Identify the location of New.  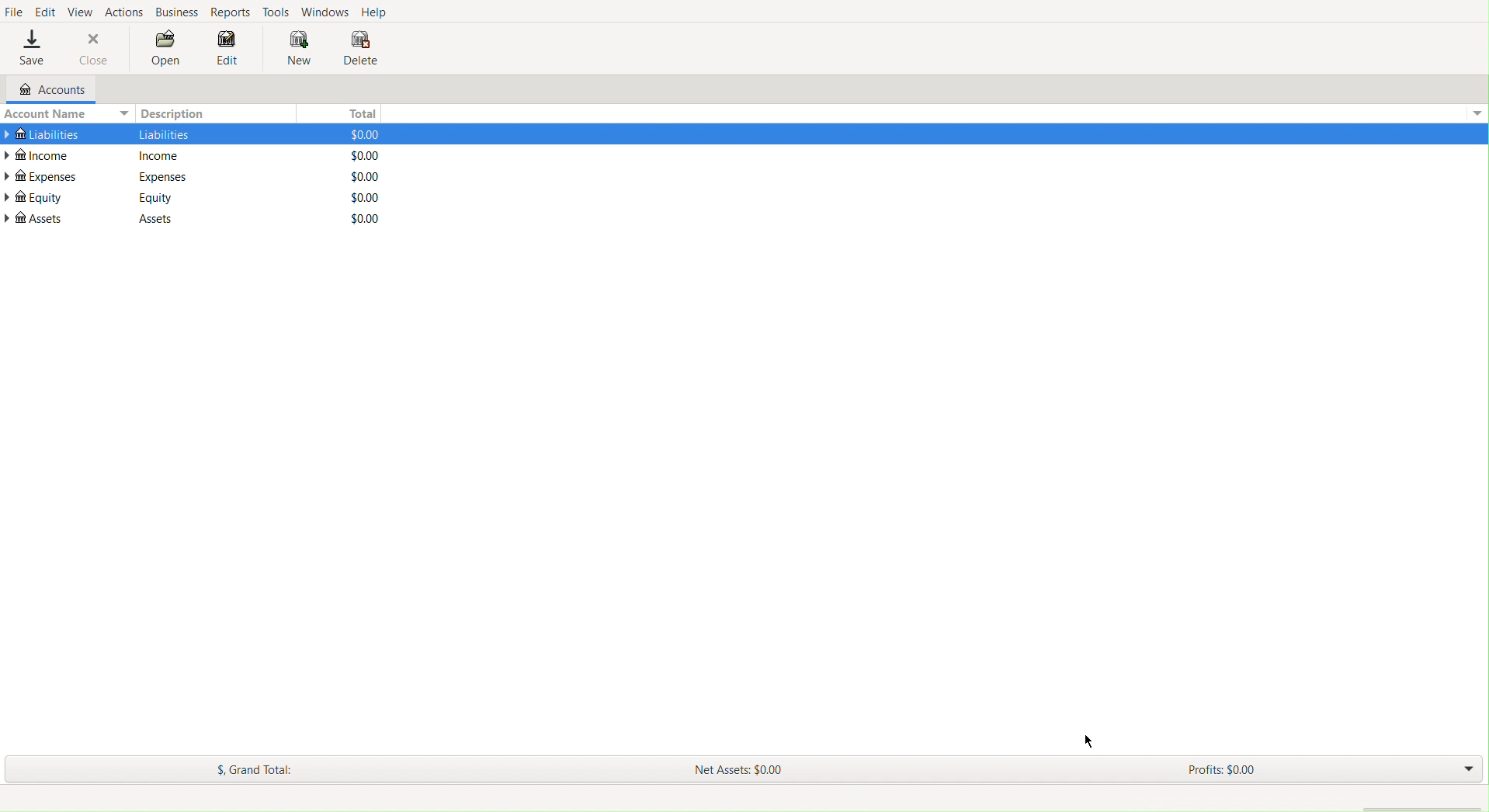
(292, 48).